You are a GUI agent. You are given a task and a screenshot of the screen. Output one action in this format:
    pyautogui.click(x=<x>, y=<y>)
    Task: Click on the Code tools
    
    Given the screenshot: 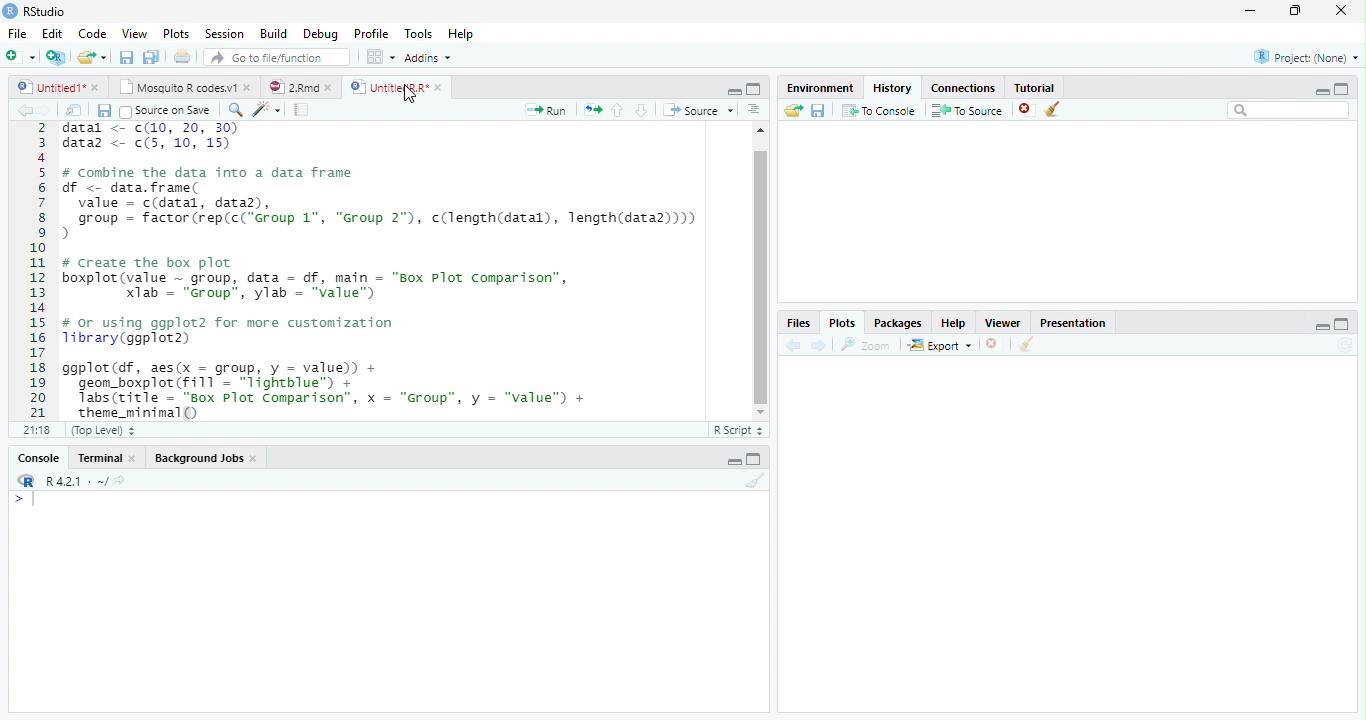 What is the action you would take?
    pyautogui.click(x=267, y=110)
    